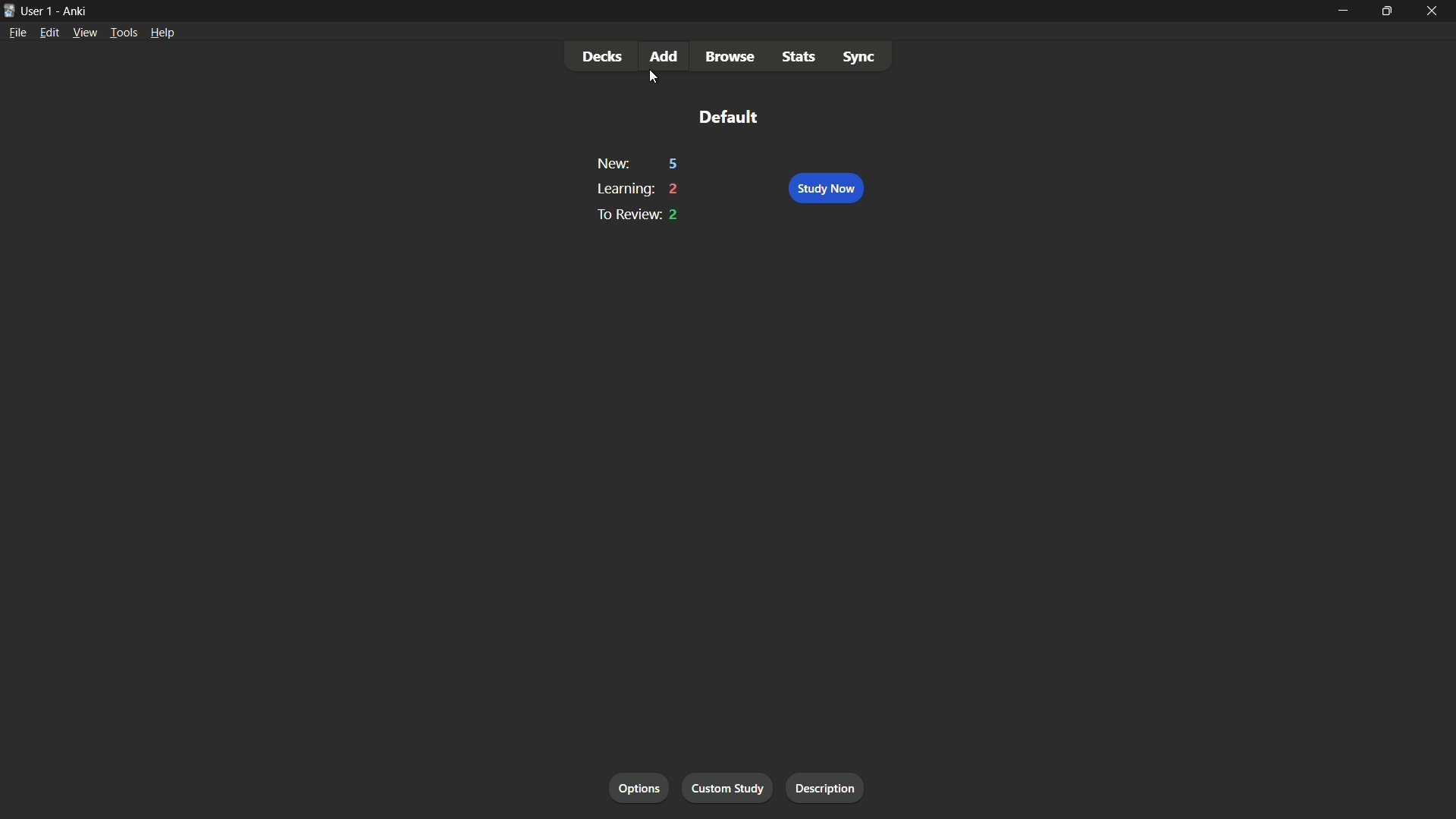 The height and width of the screenshot is (819, 1456). Describe the element at coordinates (858, 59) in the screenshot. I see `sync` at that location.